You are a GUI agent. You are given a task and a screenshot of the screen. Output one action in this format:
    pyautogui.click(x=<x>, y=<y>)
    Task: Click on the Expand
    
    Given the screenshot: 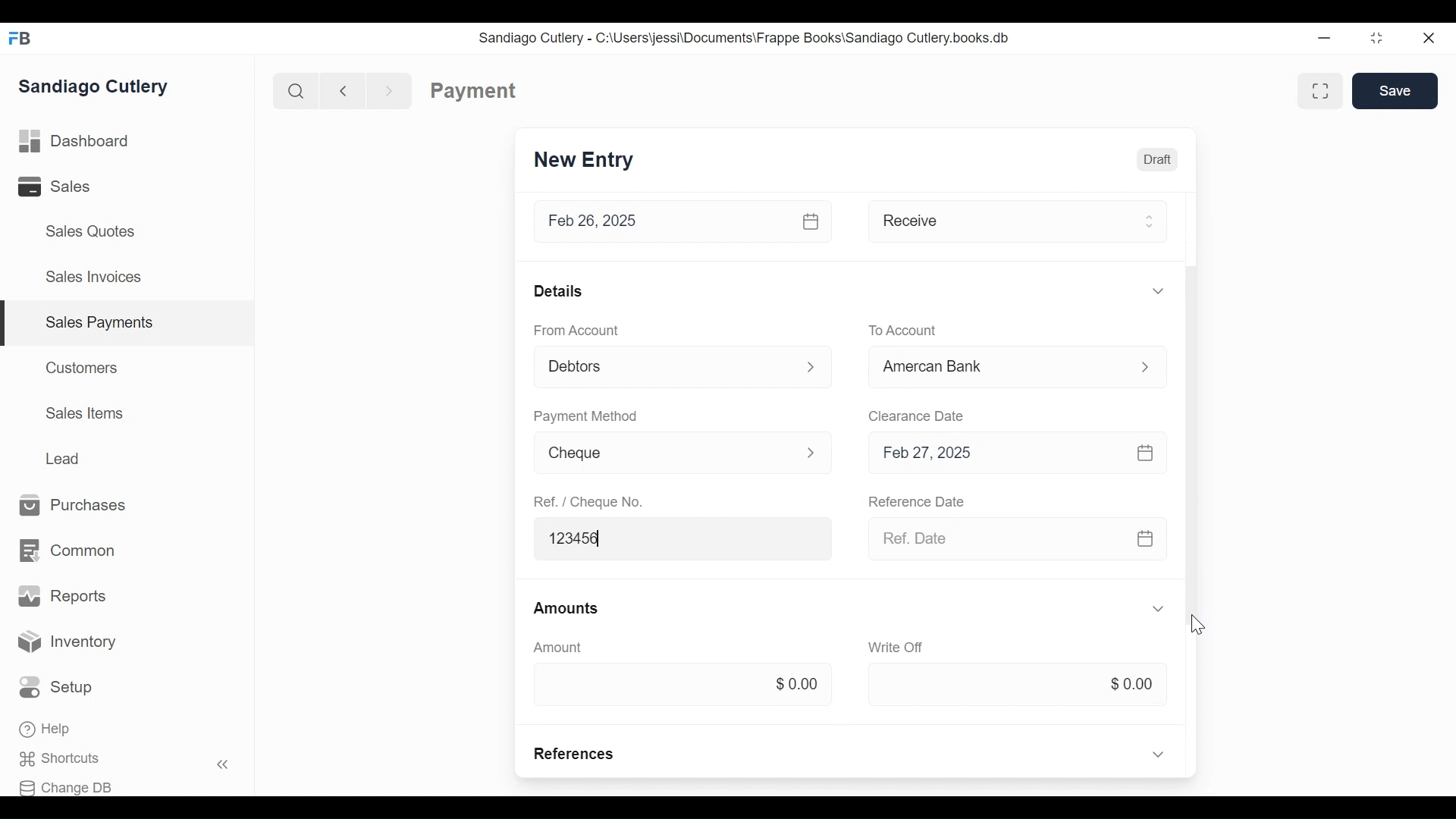 What is the action you would take?
    pyautogui.click(x=811, y=451)
    